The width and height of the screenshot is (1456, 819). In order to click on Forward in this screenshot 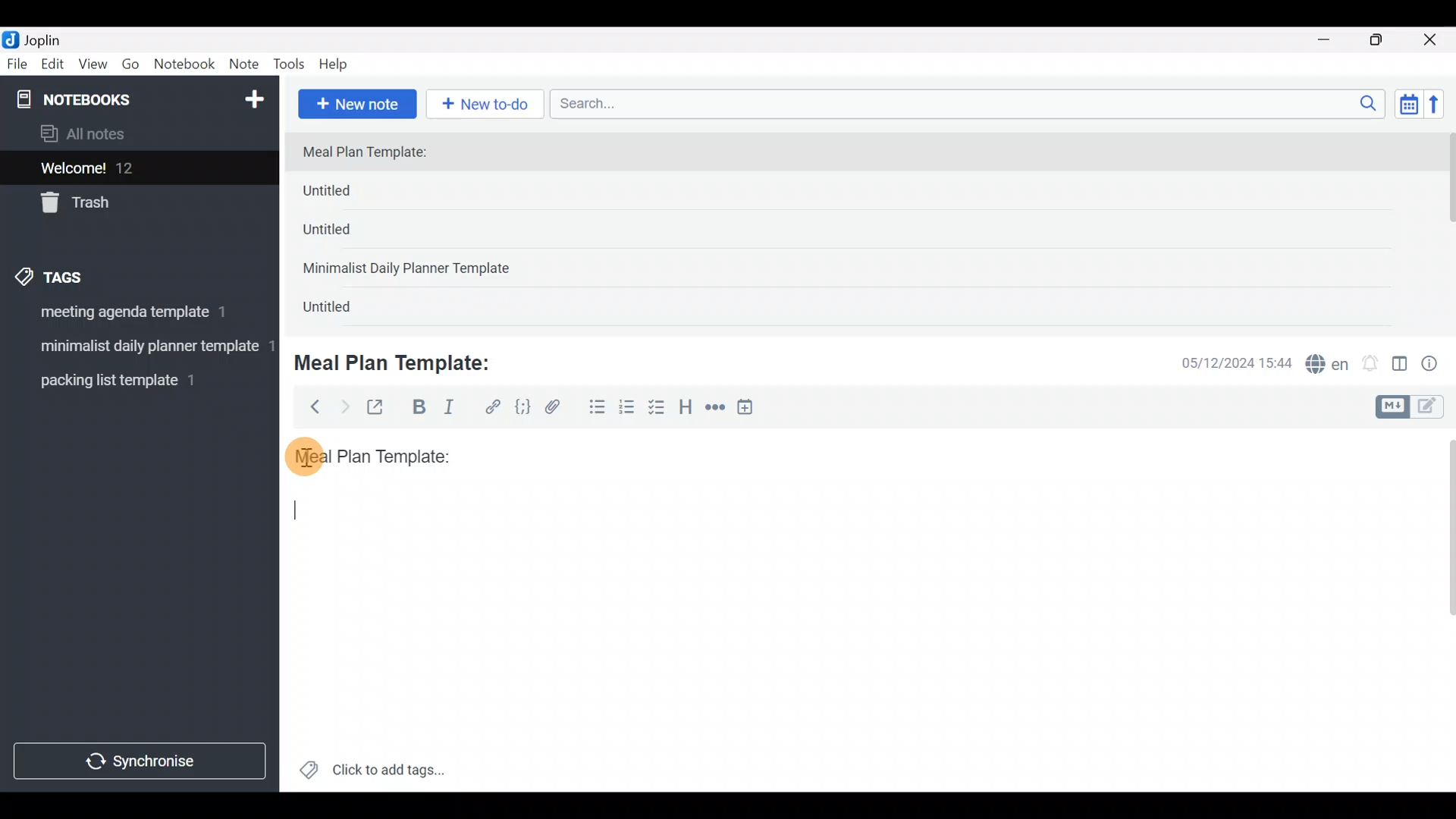, I will do `click(344, 406)`.